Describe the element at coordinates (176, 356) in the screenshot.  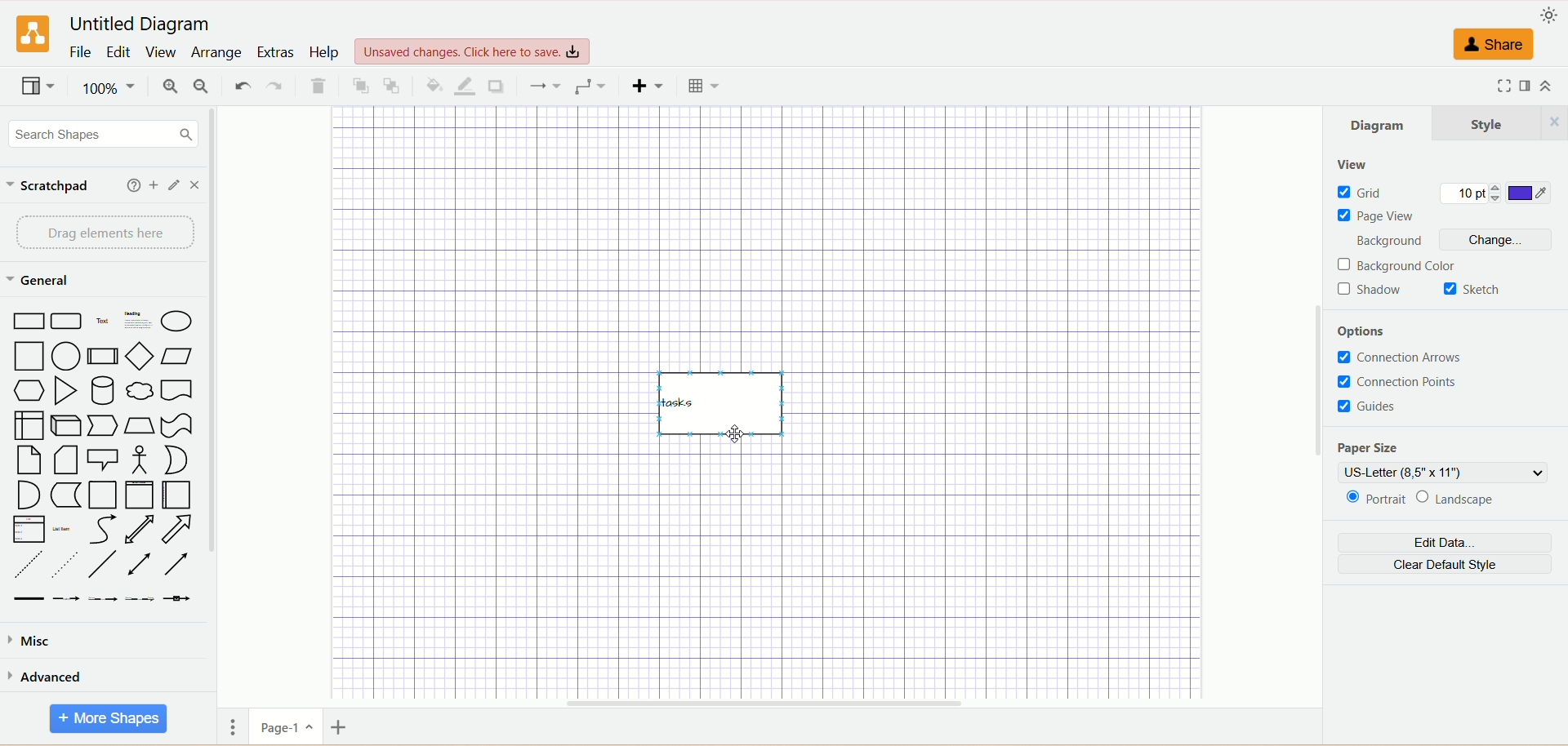
I see `Parallelogram` at that location.